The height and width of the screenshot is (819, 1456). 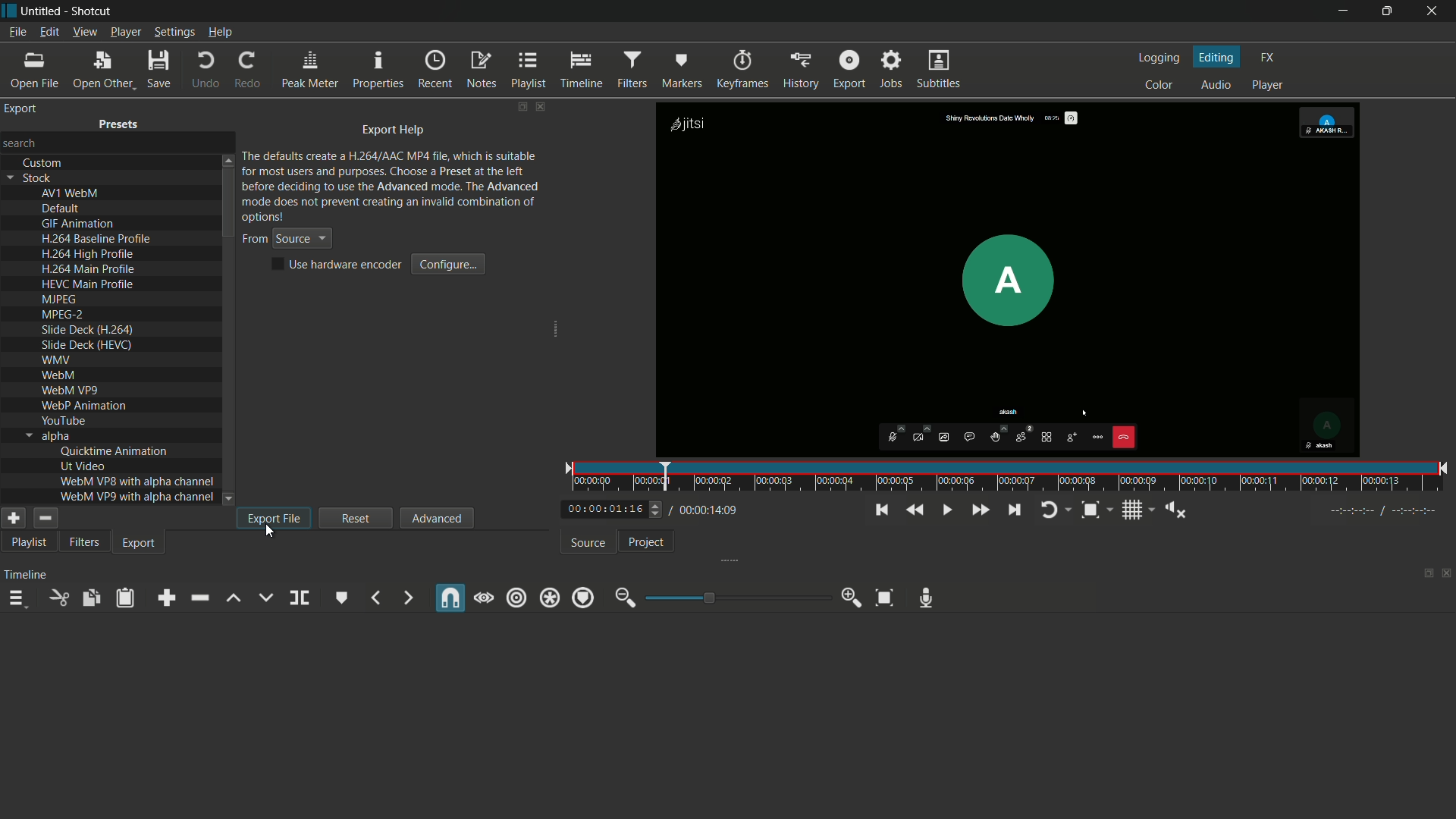 I want to click on redo, so click(x=248, y=70).